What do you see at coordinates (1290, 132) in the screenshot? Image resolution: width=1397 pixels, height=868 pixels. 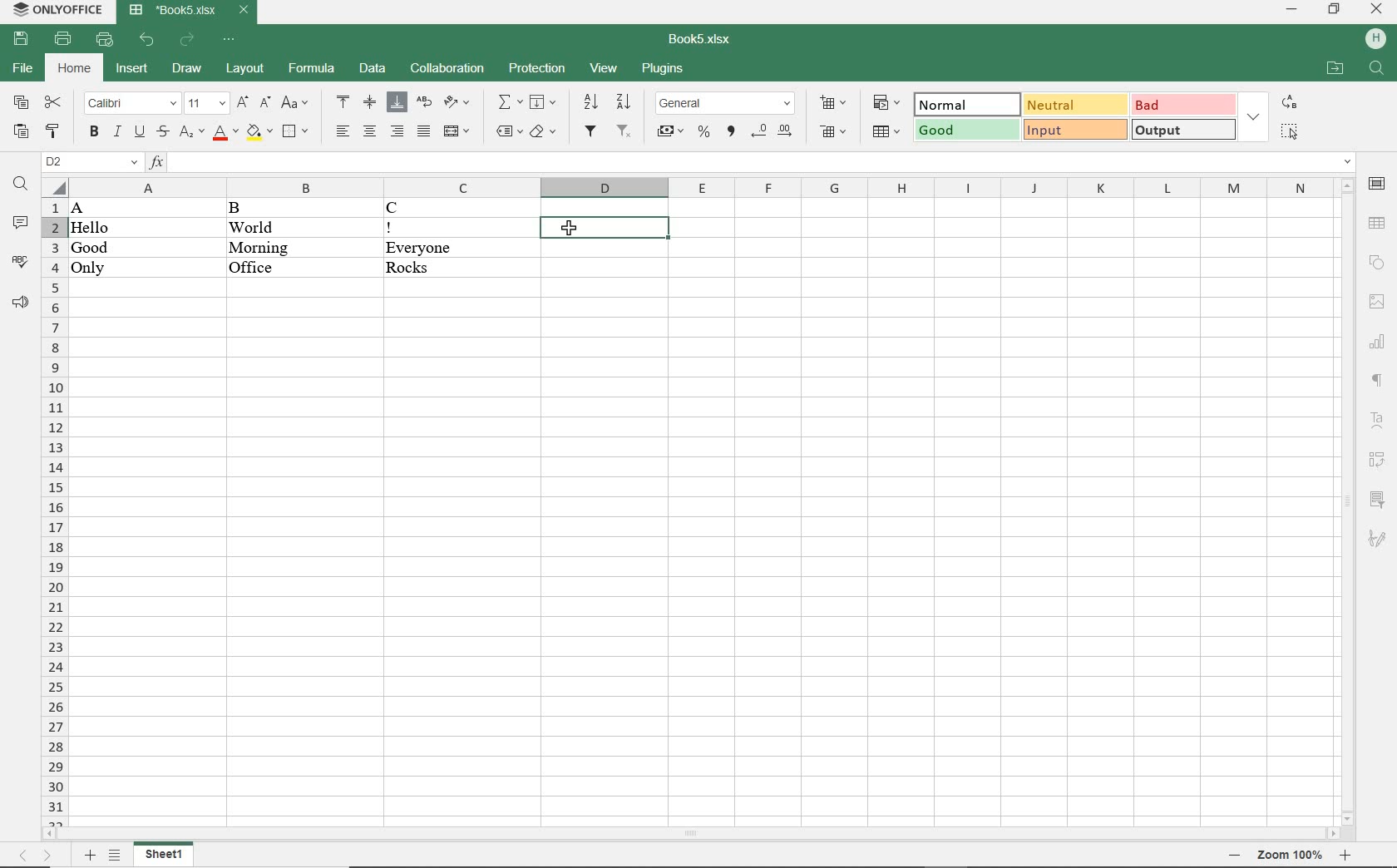 I see `SELECT ALL` at bounding box center [1290, 132].